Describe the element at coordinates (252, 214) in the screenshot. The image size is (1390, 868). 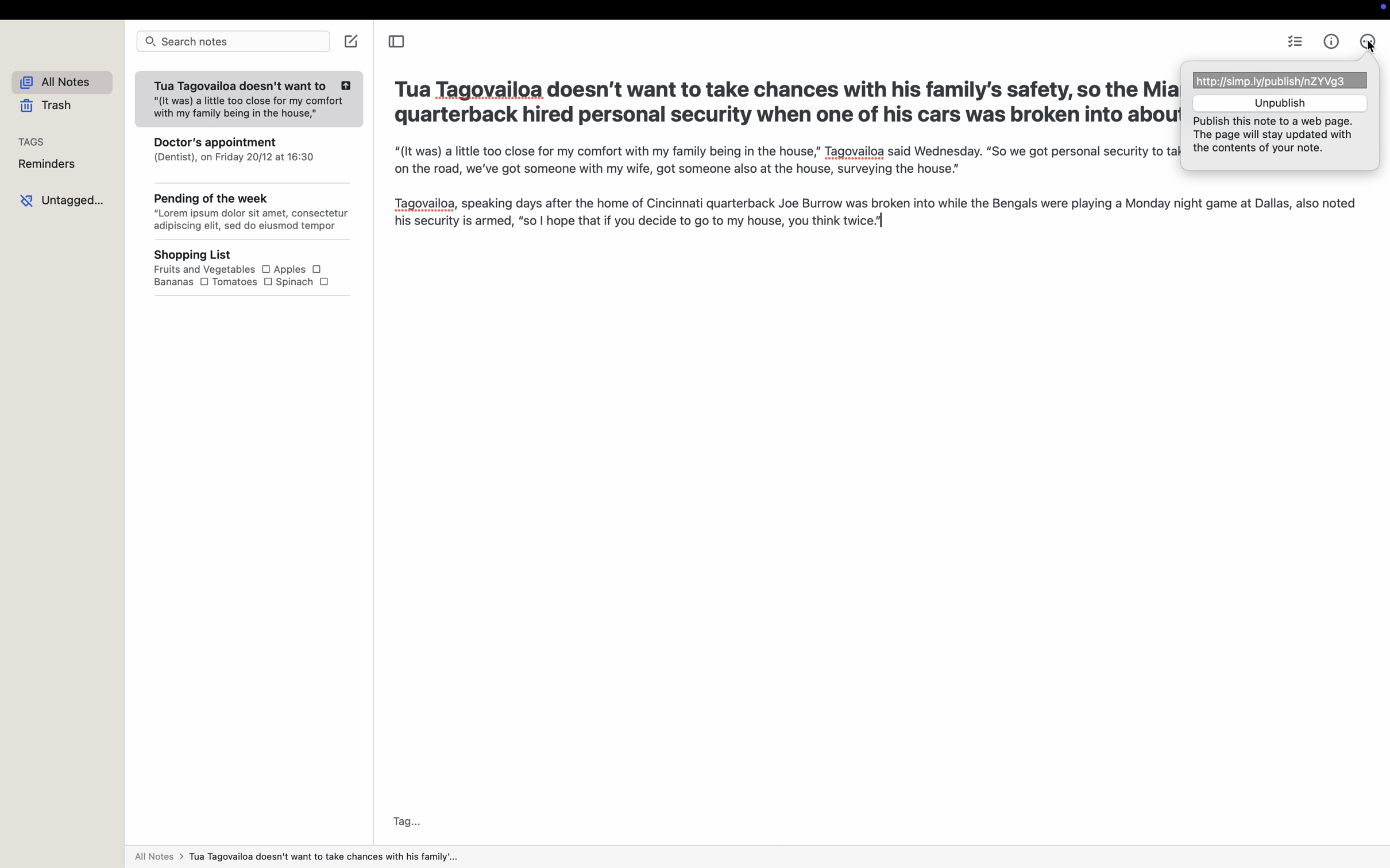
I see `Pending of the week
“Lorem ipsum dolor sit amet, consectetur
adipiscing elit, sed do eiusmod tempor` at that location.